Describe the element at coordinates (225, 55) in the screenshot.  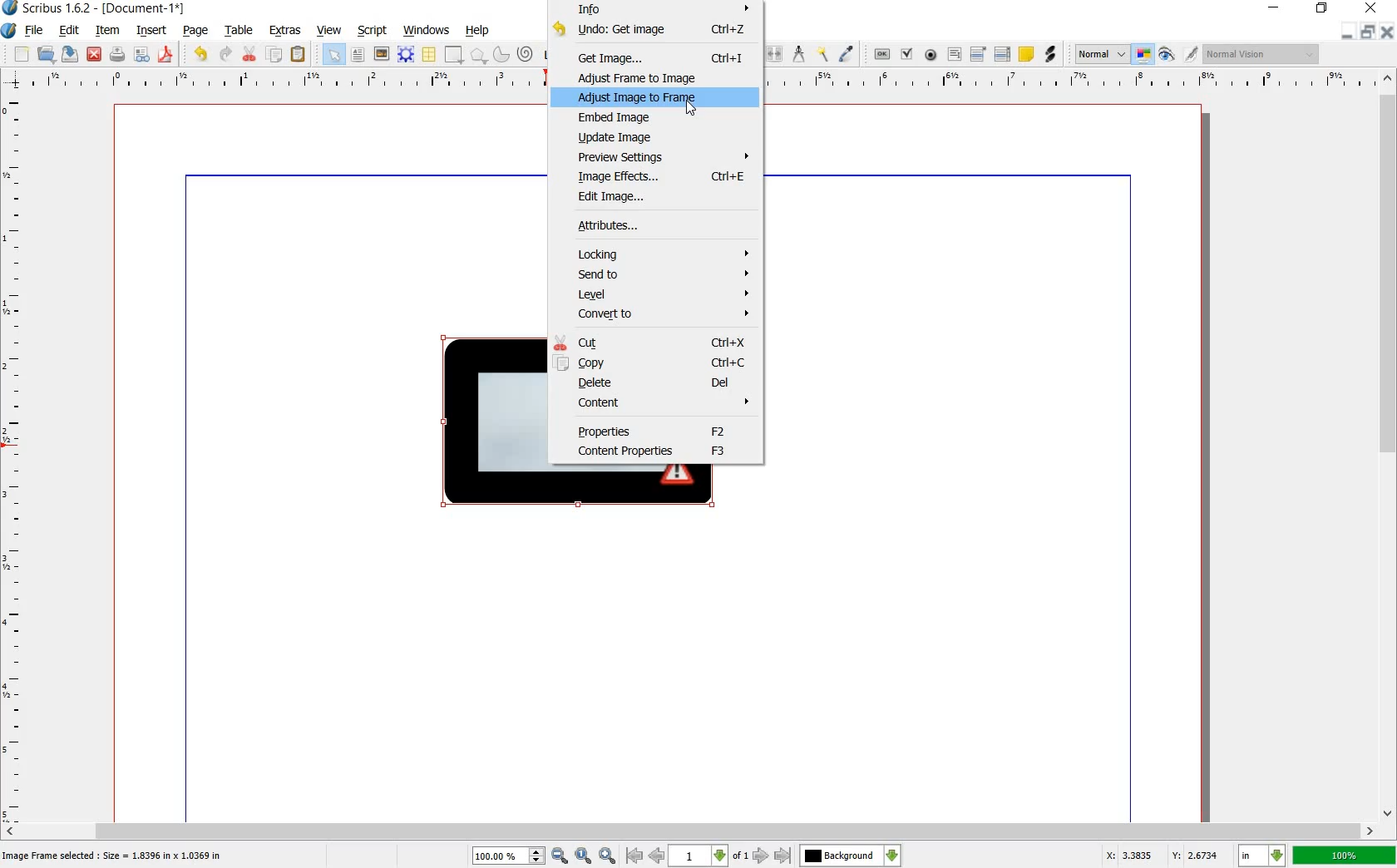
I see `redo` at that location.